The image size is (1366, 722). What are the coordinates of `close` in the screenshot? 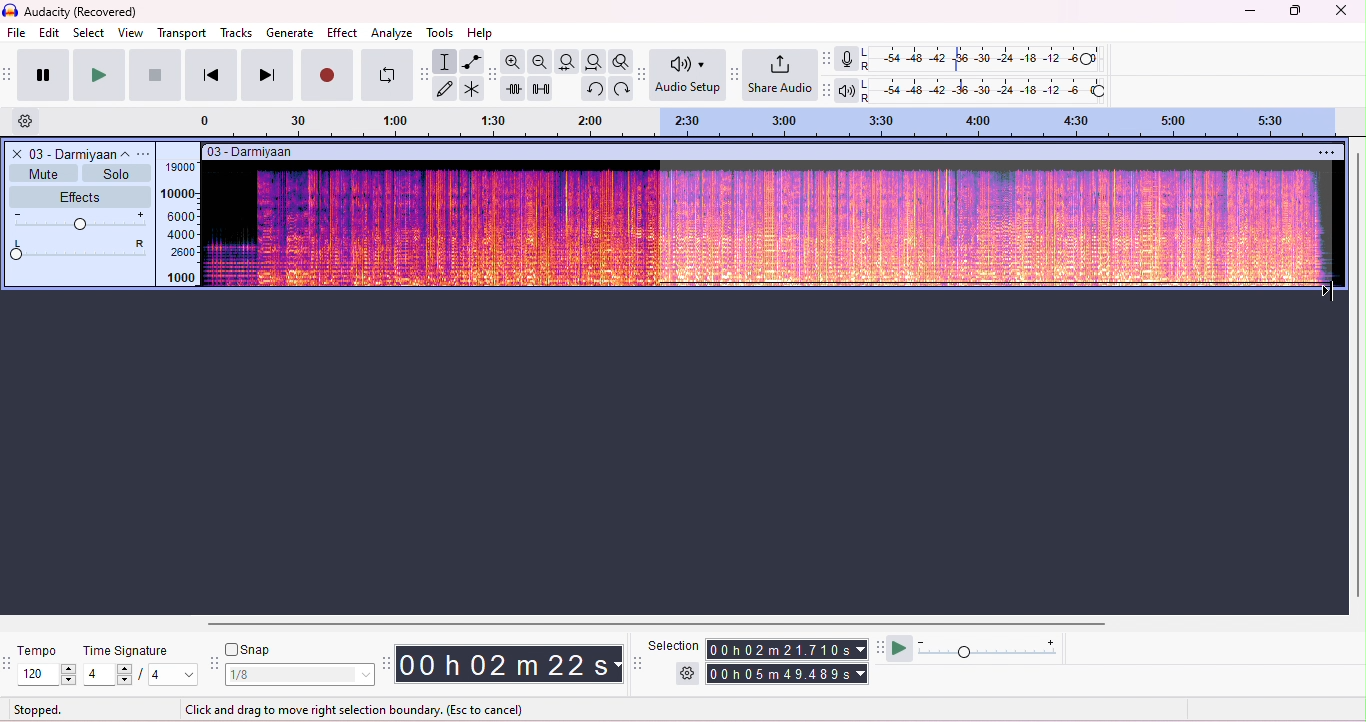 It's located at (1342, 11).